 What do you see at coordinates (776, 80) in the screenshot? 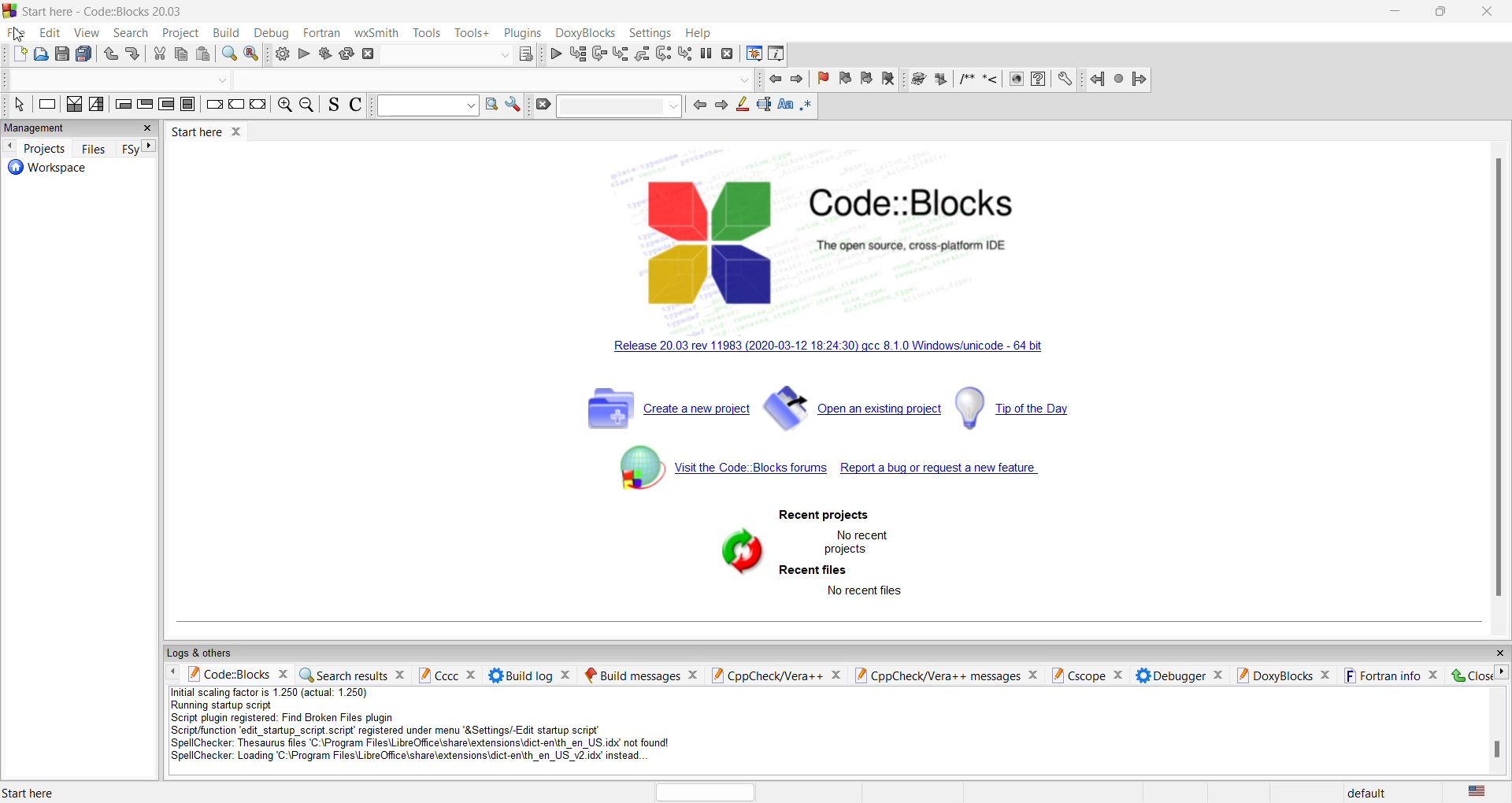
I see `go back` at bounding box center [776, 80].